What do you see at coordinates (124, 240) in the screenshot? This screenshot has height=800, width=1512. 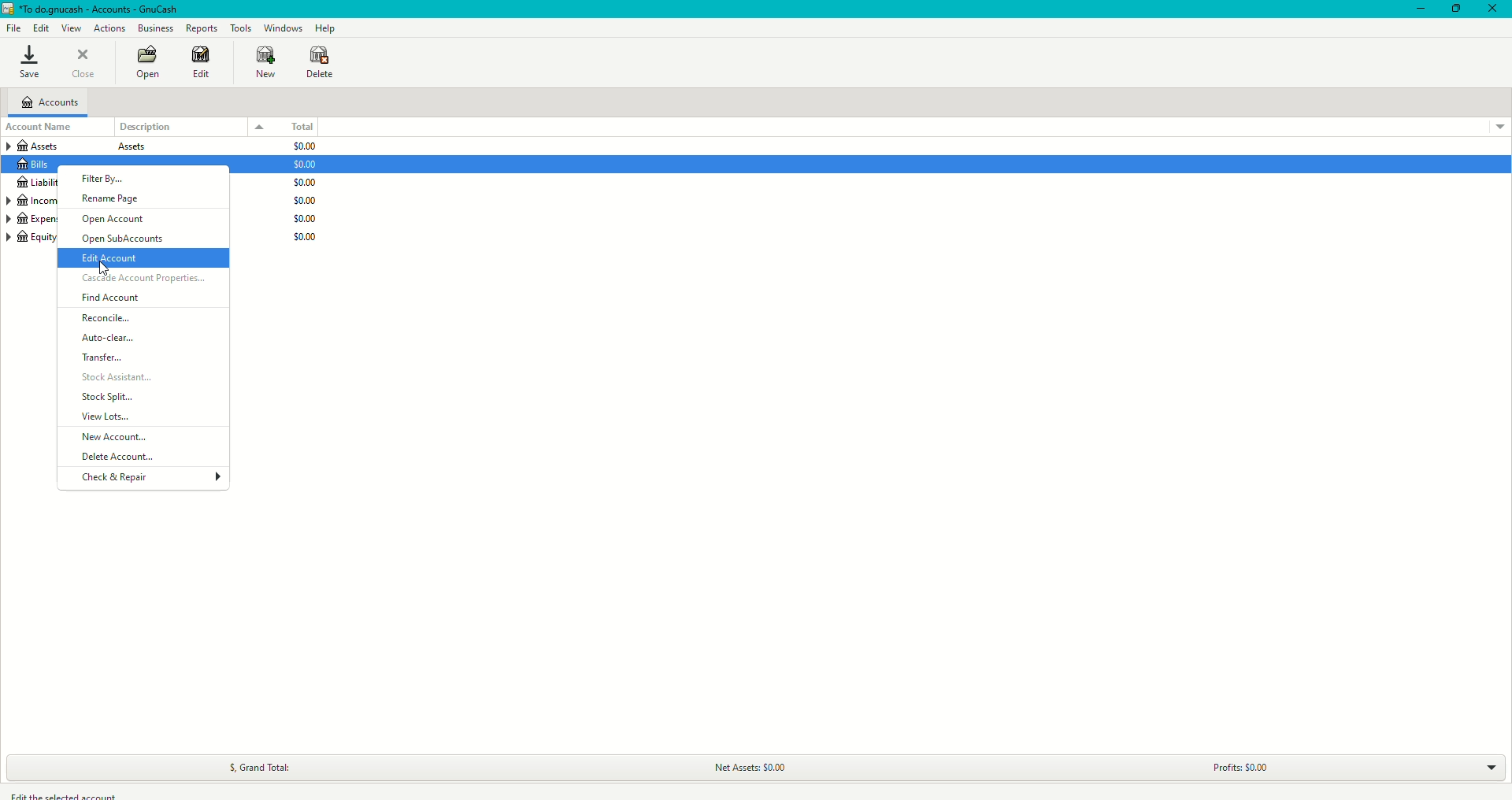 I see `Open SubAccounts` at bounding box center [124, 240].